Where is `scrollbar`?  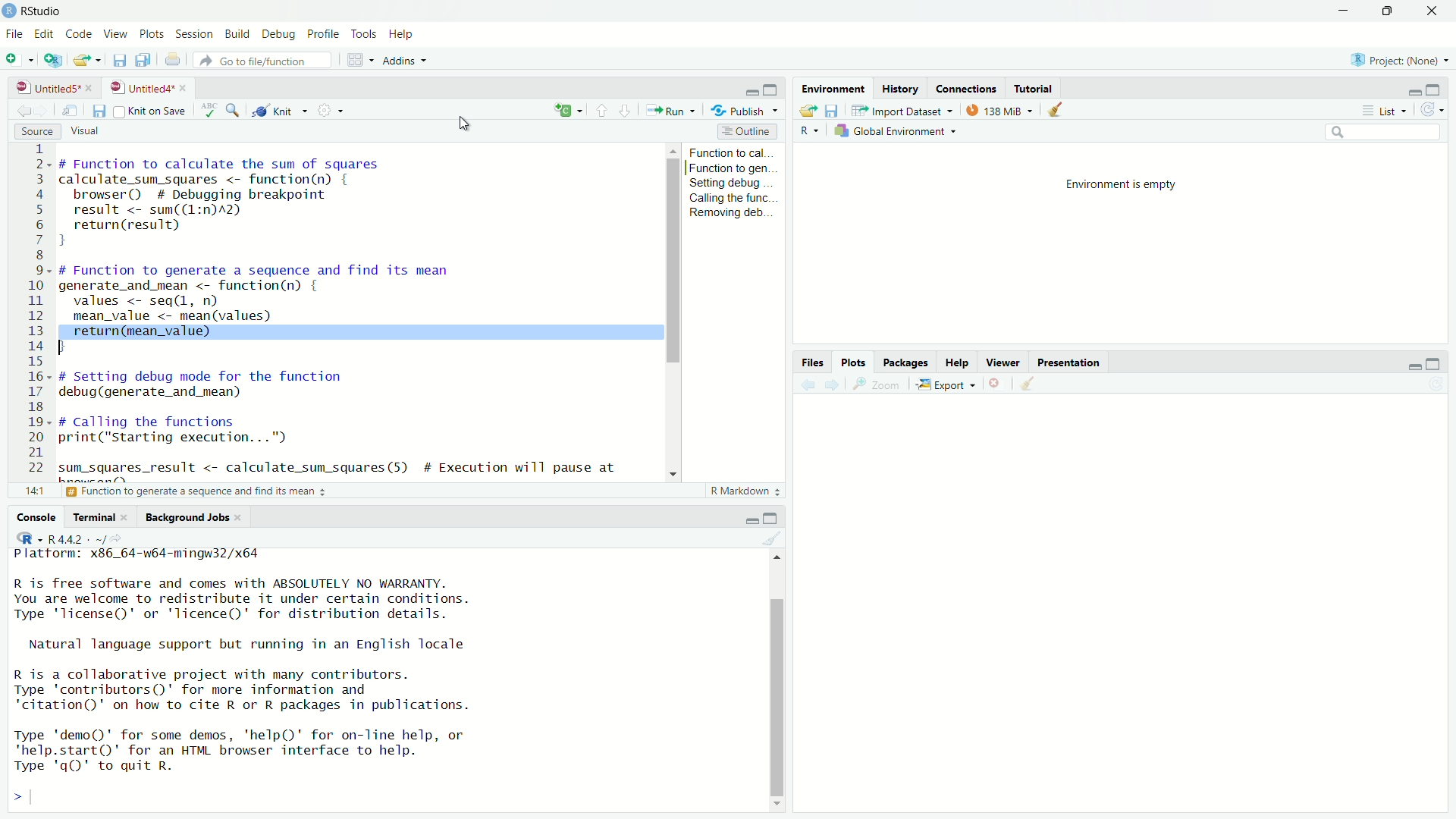
scrollbar is located at coordinates (780, 687).